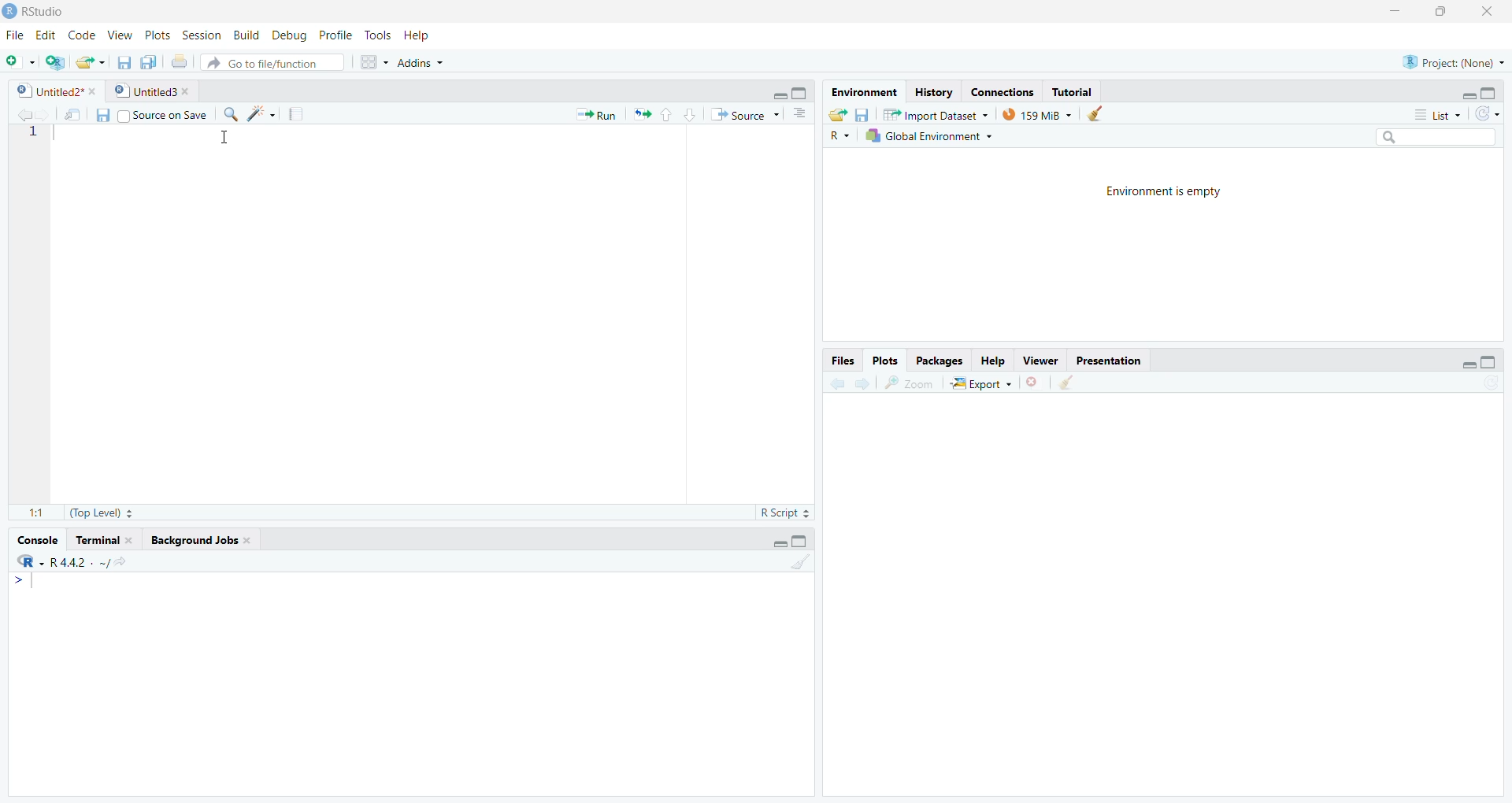  I want to click on Clean, so click(801, 562).